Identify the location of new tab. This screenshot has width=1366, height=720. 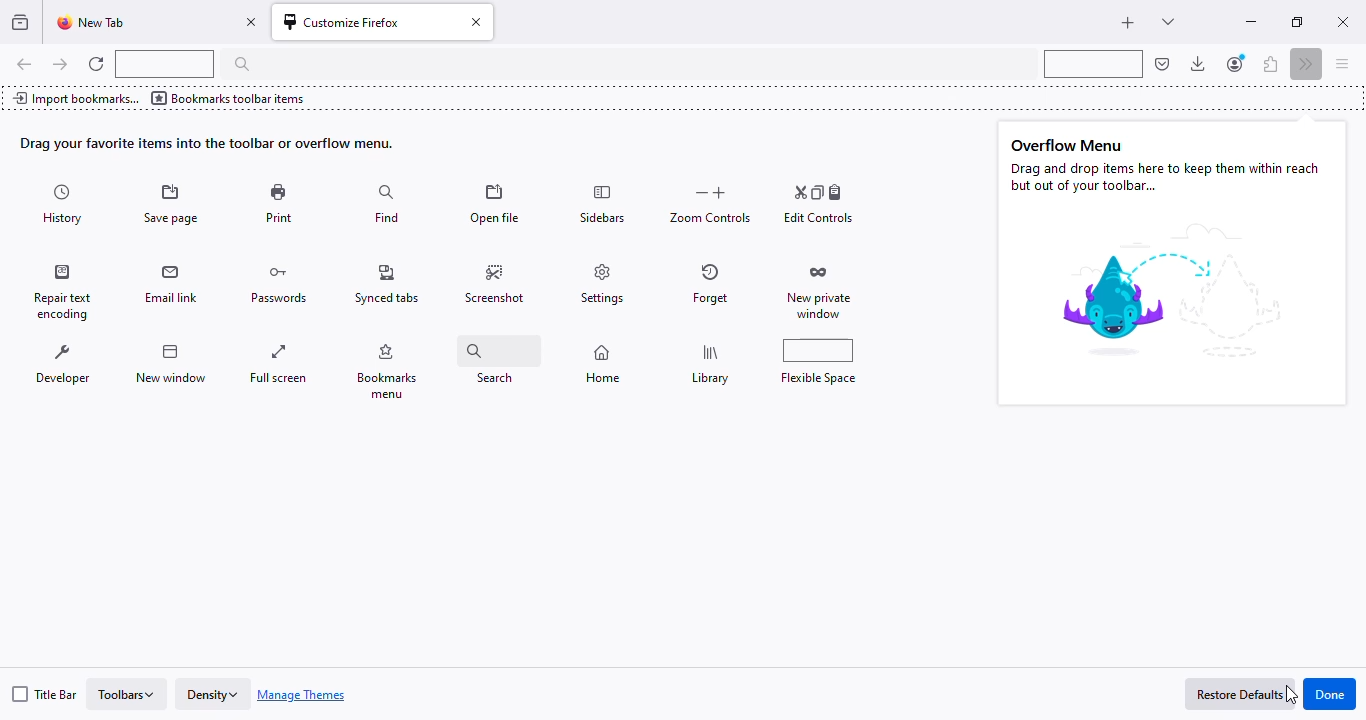
(94, 23).